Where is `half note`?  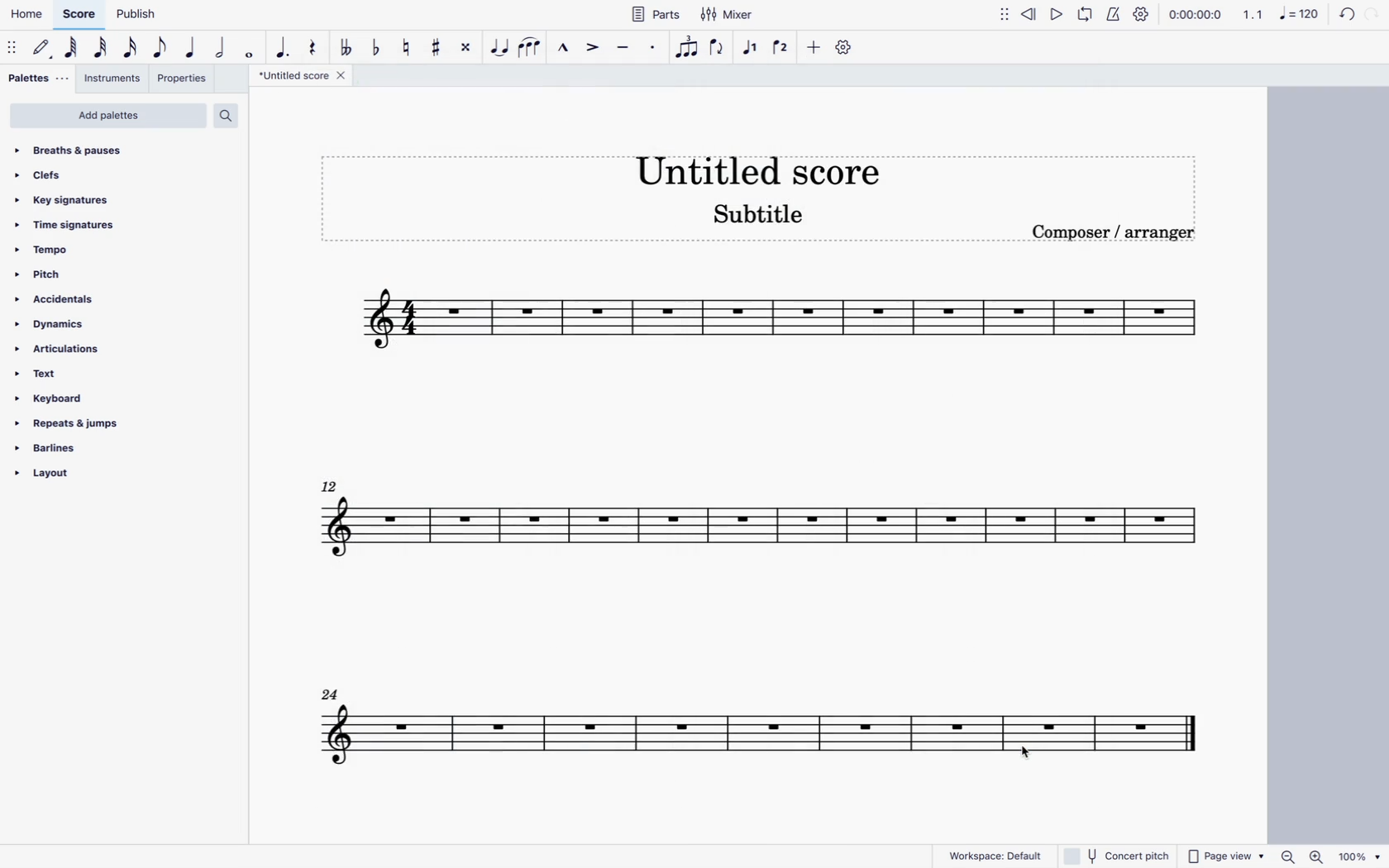 half note is located at coordinates (223, 53).